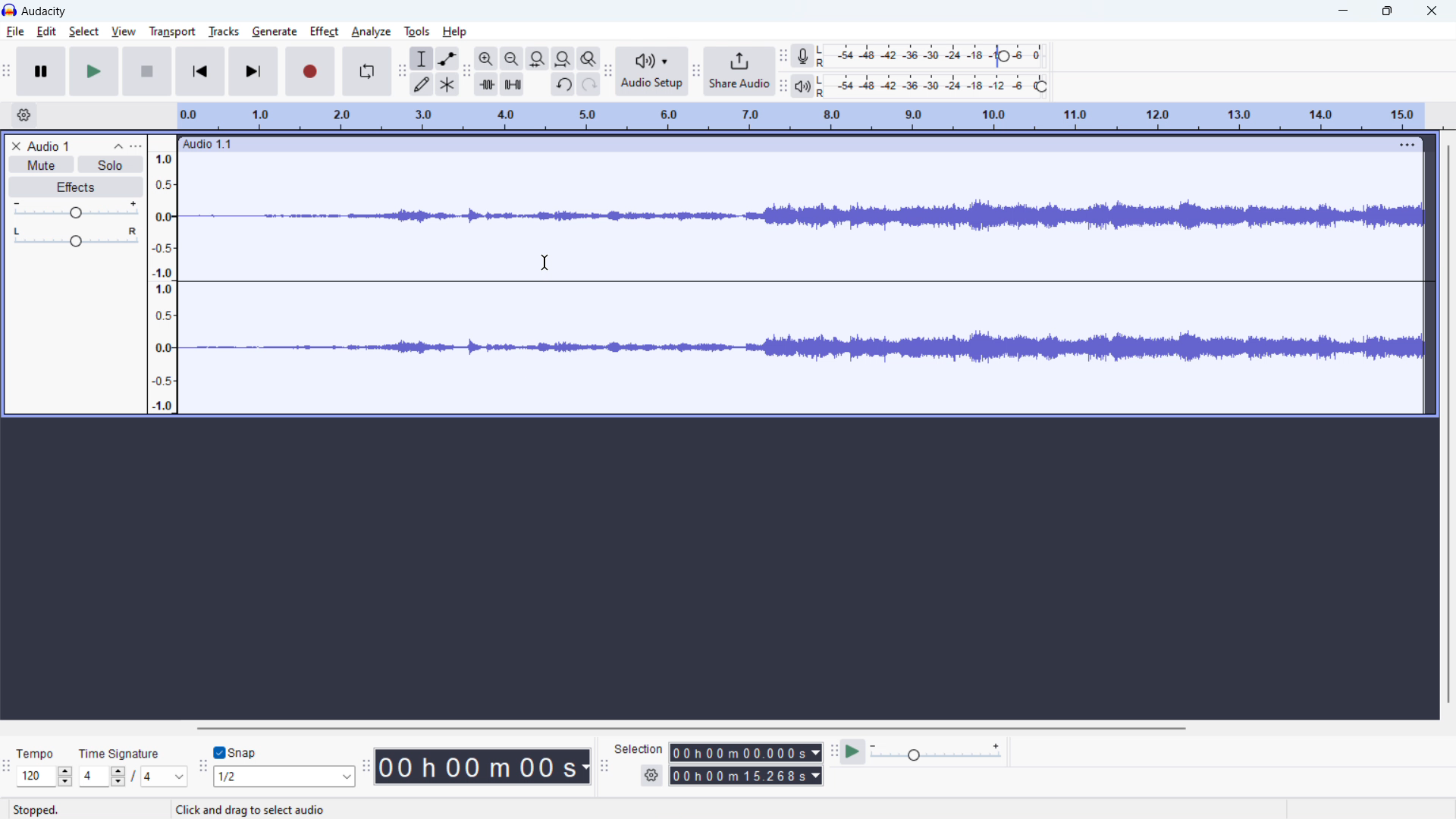 Image resolution: width=1456 pixels, height=819 pixels. Describe the element at coordinates (1445, 424) in the screenshot. I see `vertical scrollbar` at that location.